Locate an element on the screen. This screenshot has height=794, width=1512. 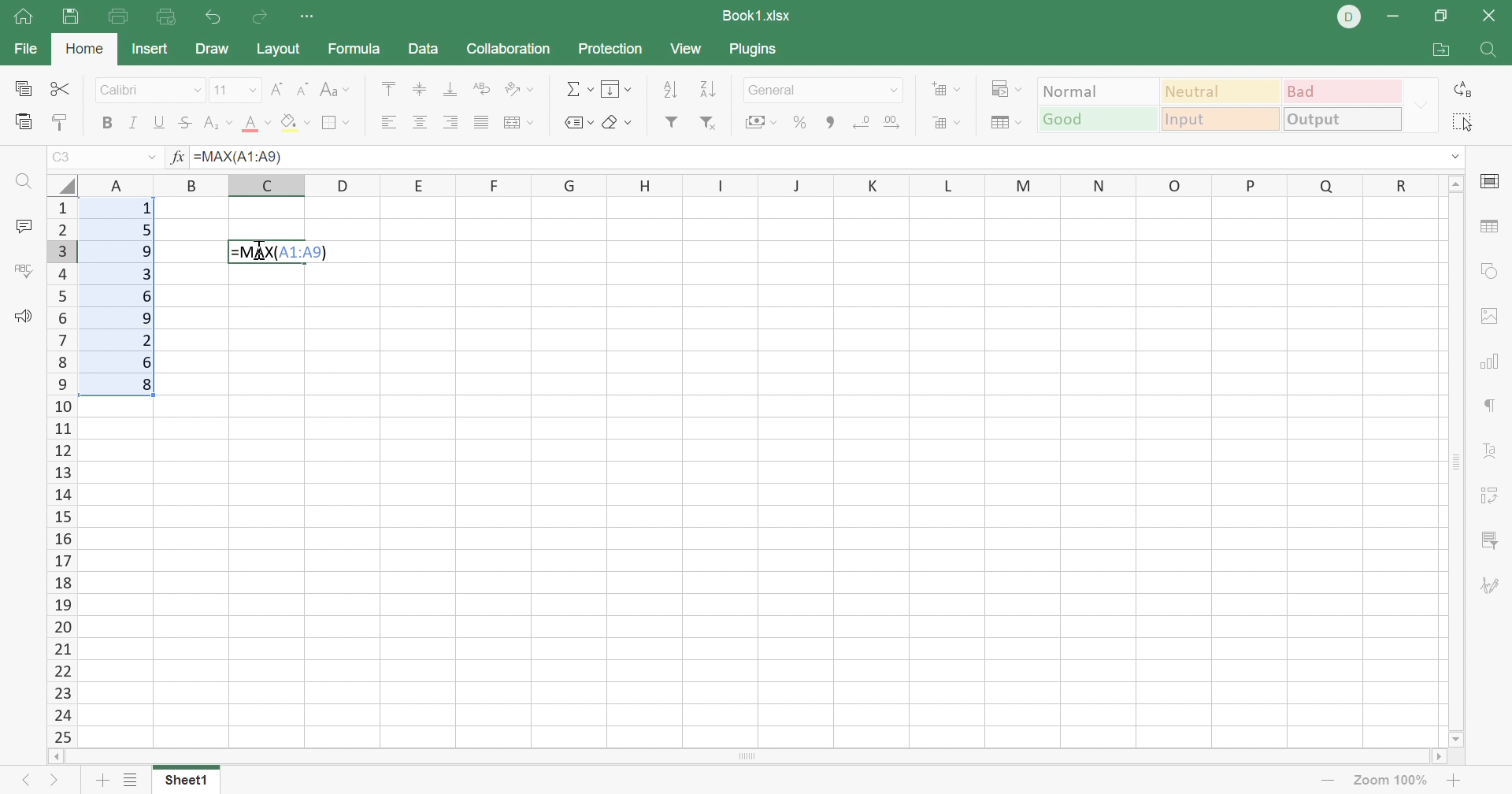
Strikethrough is located at coordinates (186, 122).